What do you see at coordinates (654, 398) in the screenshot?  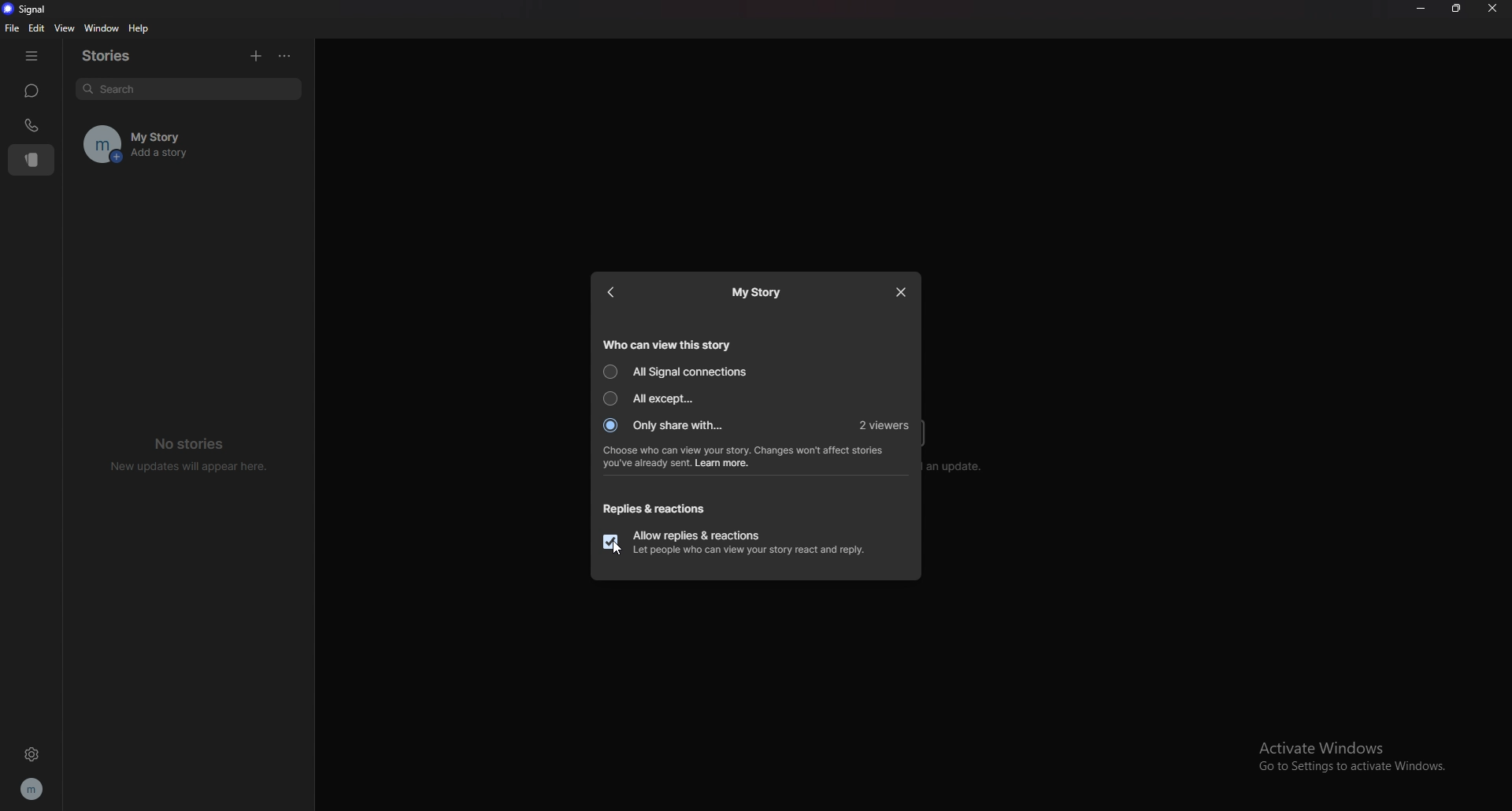 I see `all except` at bounding box center [654, 398].